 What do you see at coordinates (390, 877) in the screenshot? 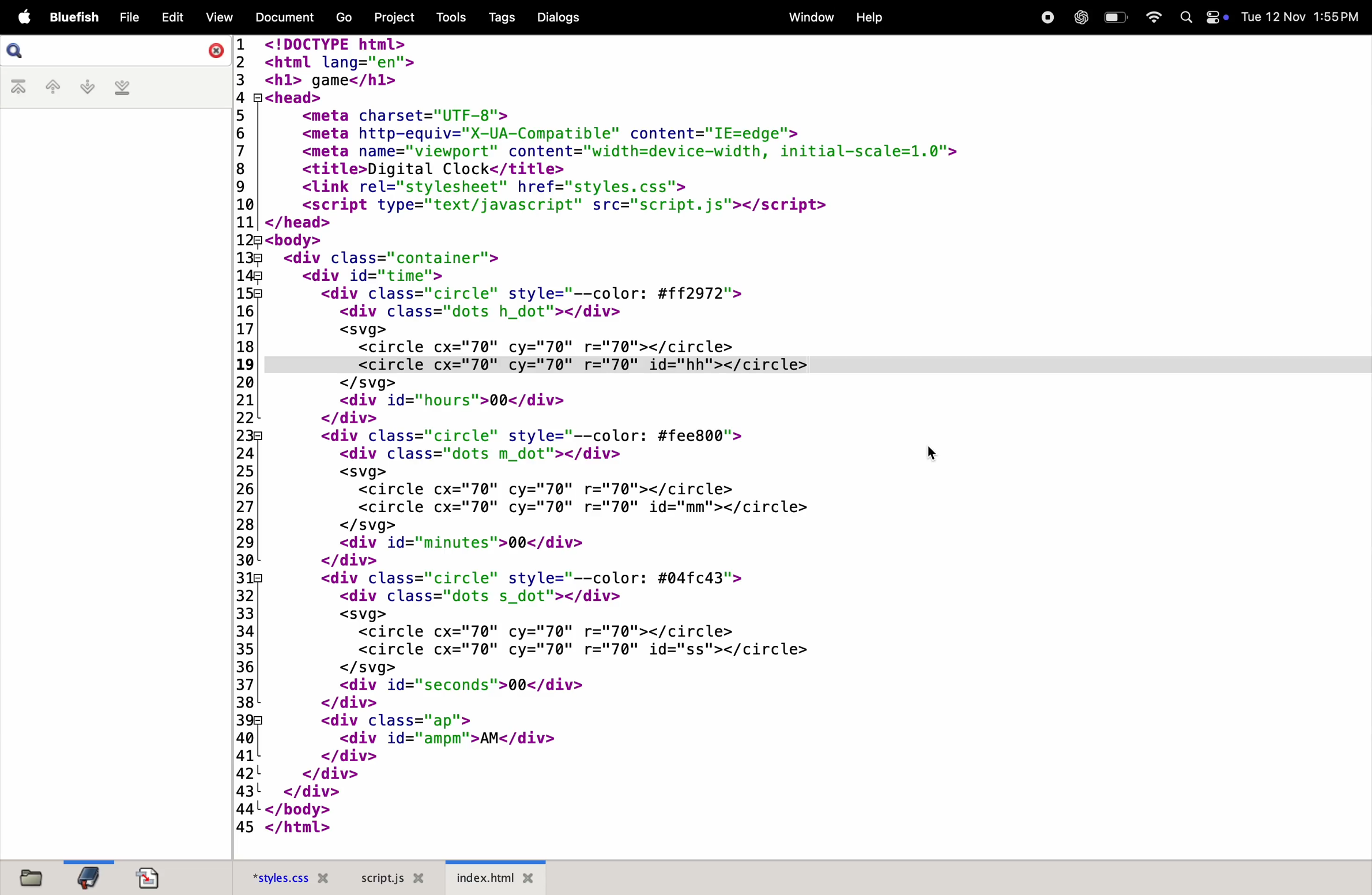
I see `script.js` at bounding box center [390, 877].